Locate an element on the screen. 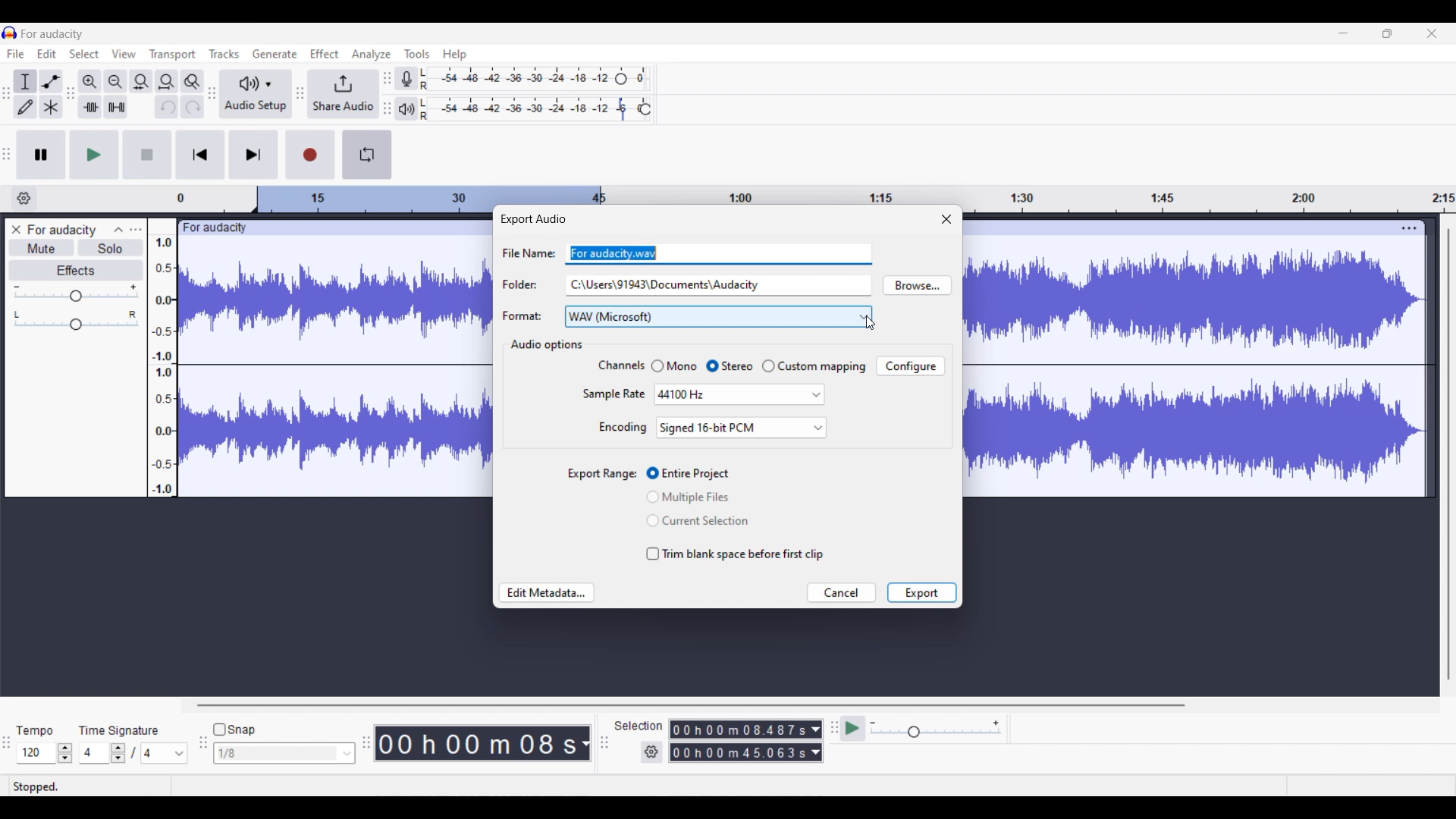 This screenshot has width=1456, height=819. Increase/Decrease number is located at coordinates (118, 753).